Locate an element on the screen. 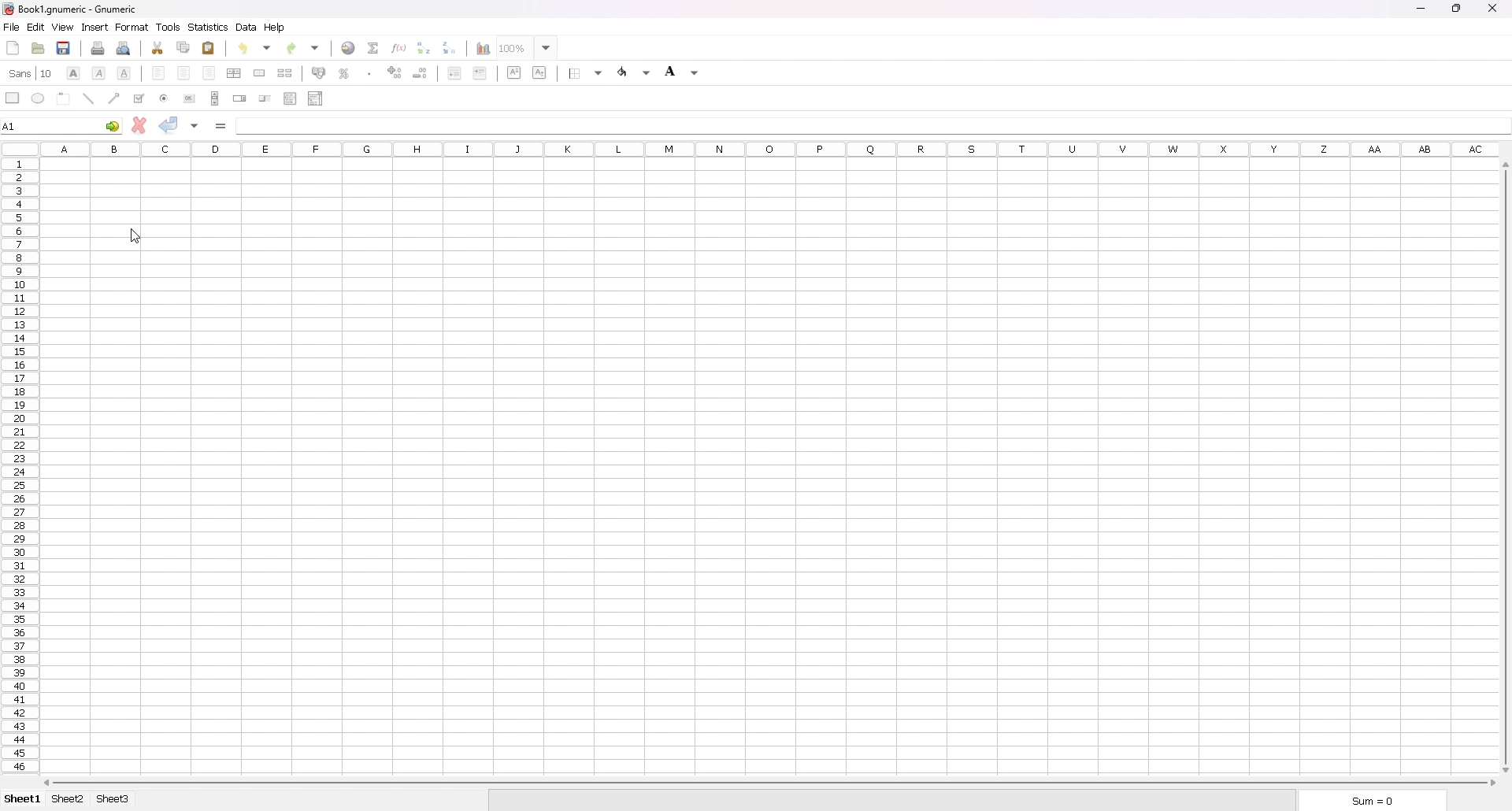 Image resolution: width=1512 pixels, height=811 pixels. selected cell is located at coordinates (61, 126).